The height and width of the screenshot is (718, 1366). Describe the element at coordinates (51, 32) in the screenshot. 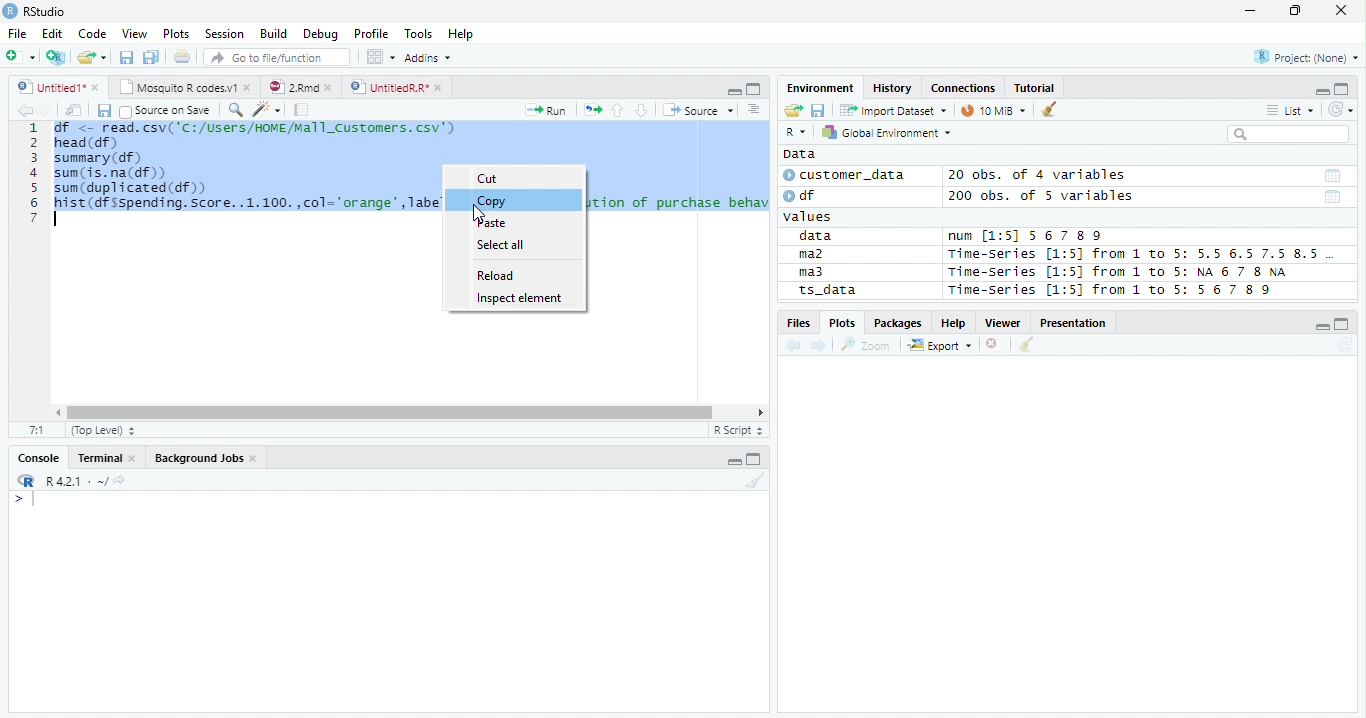

I see `Edit` at that location.